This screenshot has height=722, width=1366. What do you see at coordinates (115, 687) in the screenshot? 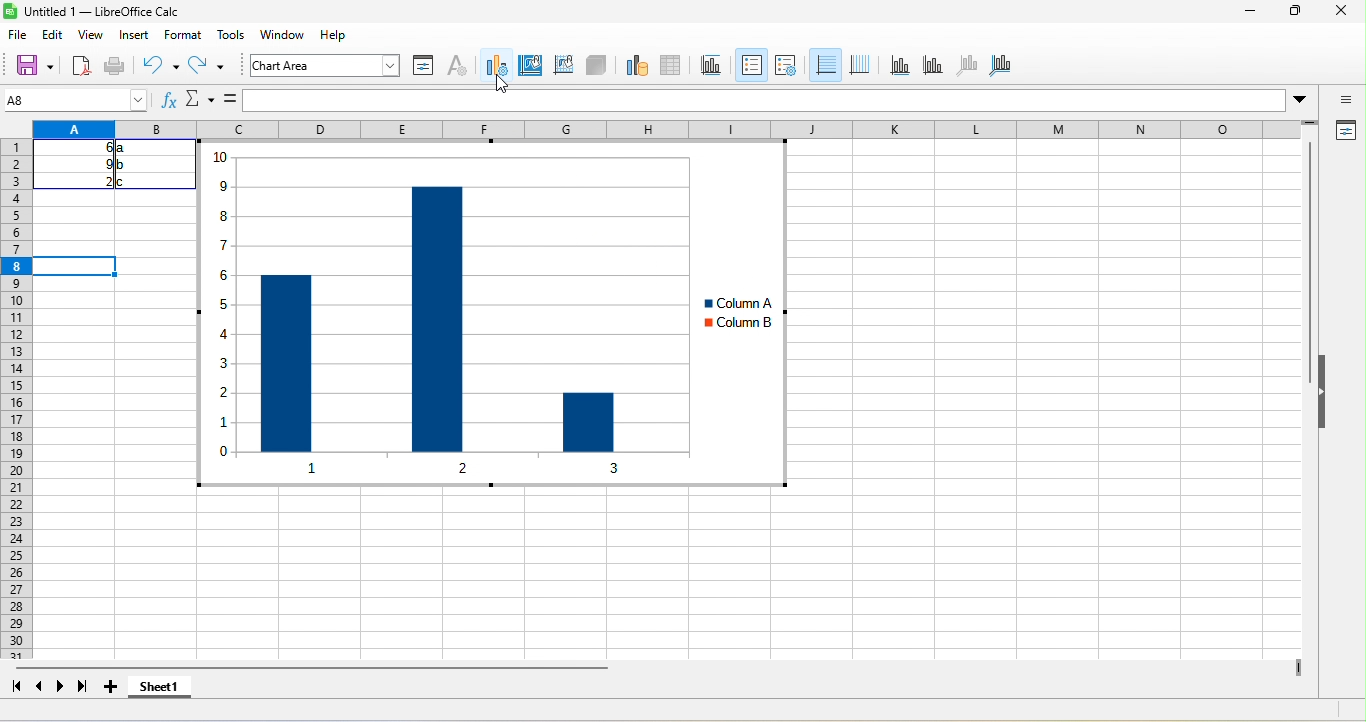
I see `add new sheet` at bounding box center [115, 687].